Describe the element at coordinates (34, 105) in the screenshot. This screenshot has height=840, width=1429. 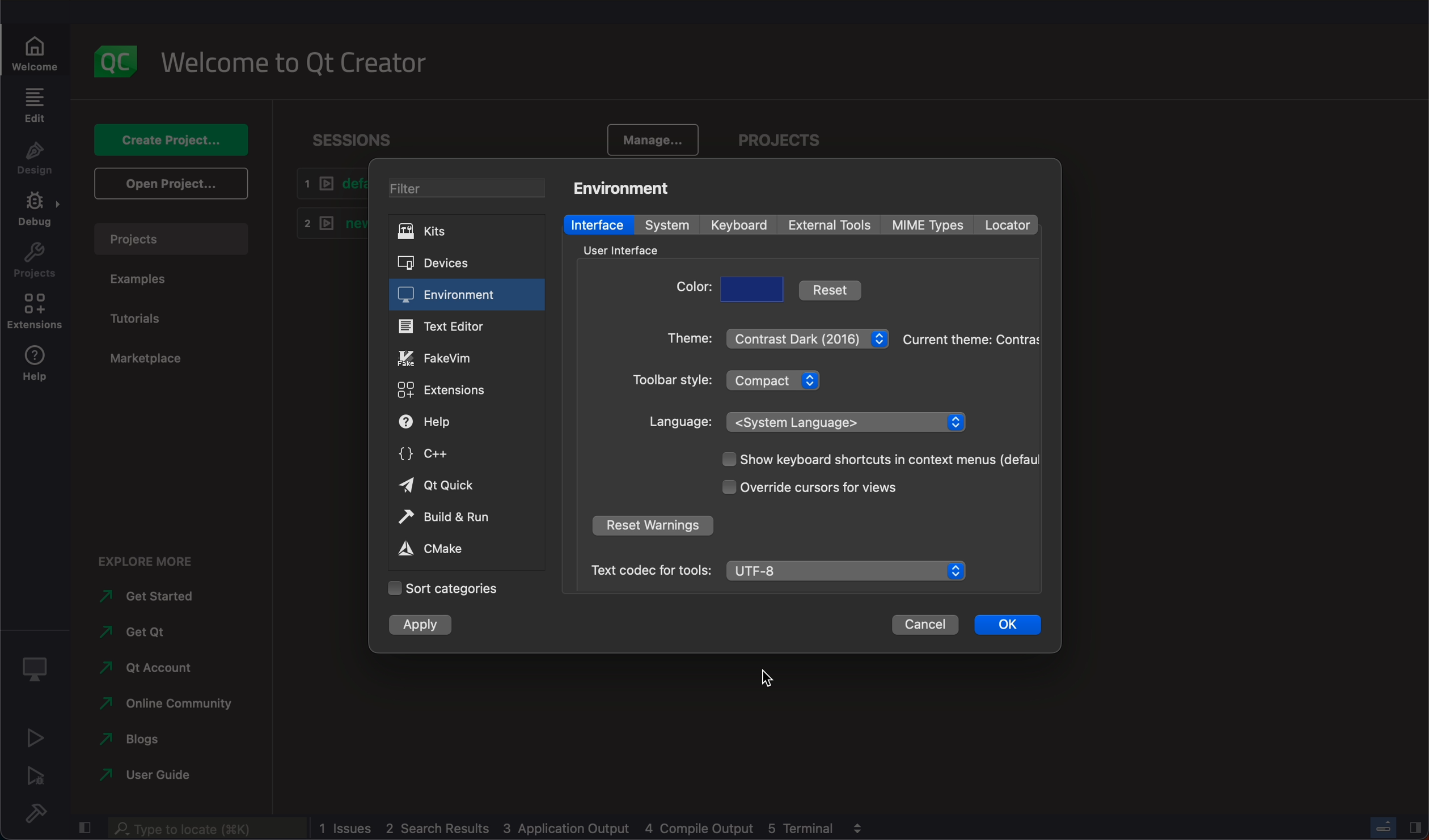
I see `edit` at that location.